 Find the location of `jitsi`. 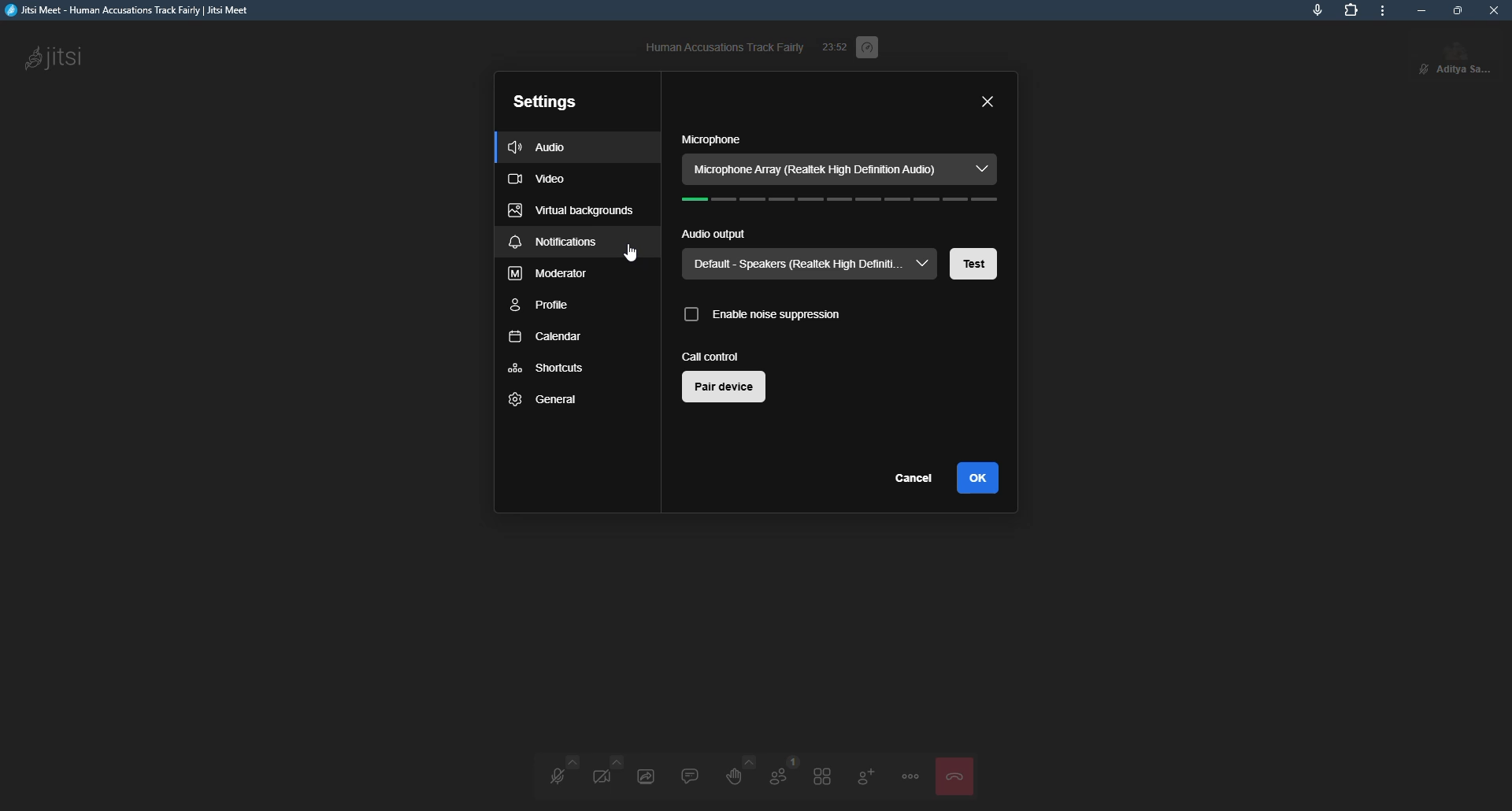

jitsi is located at coordinates (135, 10).